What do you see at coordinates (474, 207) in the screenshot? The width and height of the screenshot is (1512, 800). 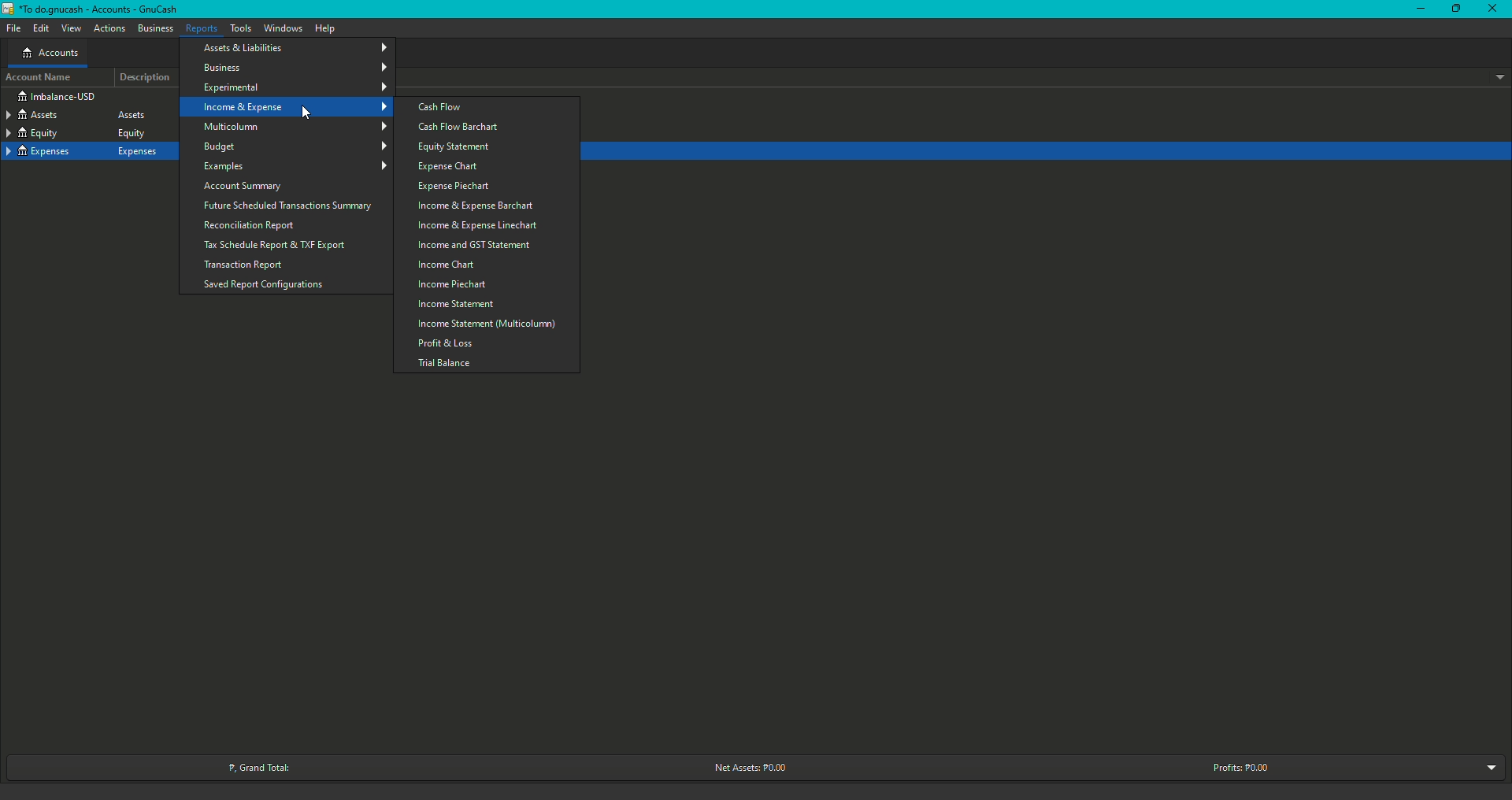 I see `Income and Expense barchart` at bounding box center [474, 207].